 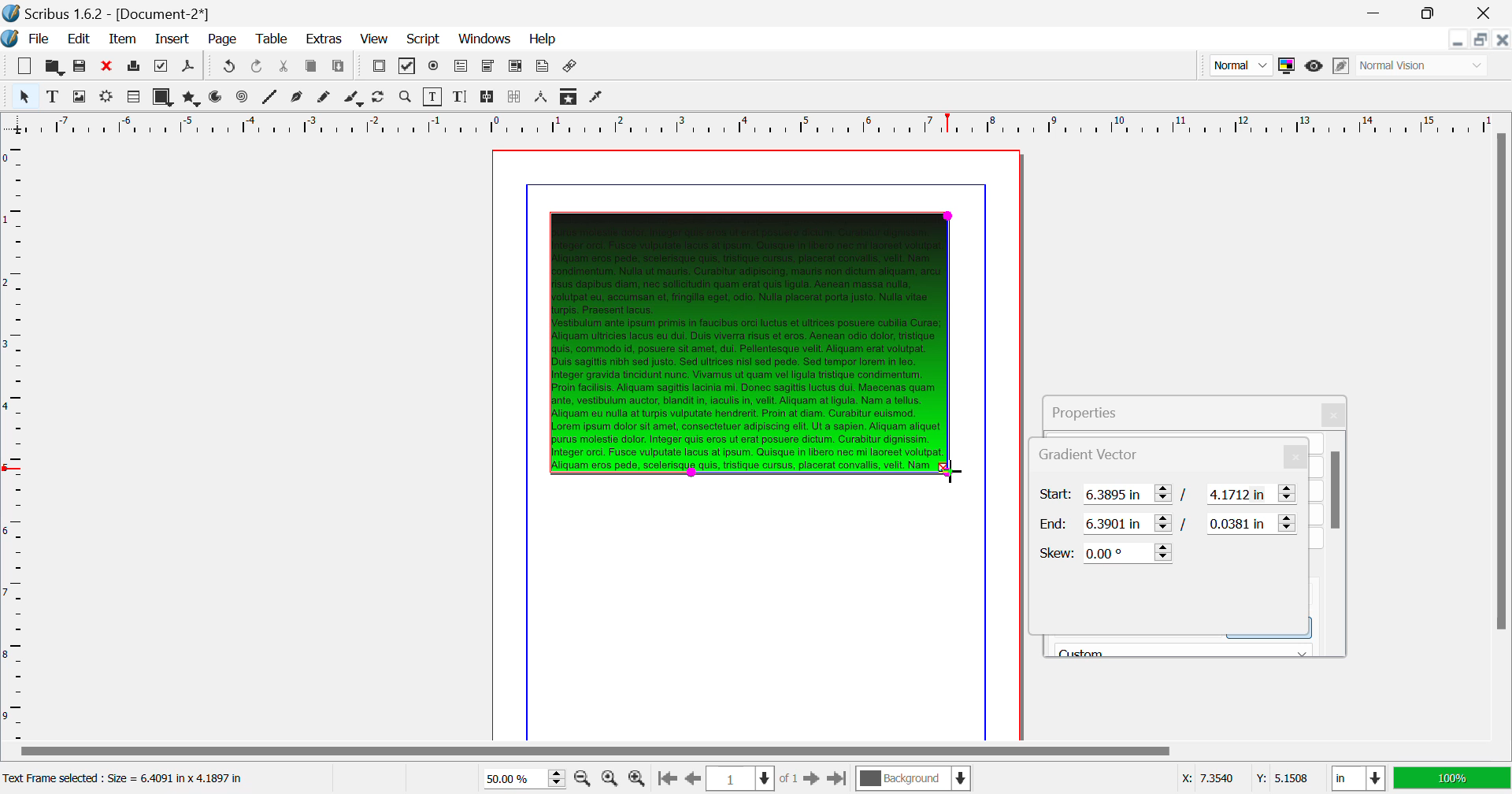 I want to click on Calligraphic Line, so click(x=354, y=99).